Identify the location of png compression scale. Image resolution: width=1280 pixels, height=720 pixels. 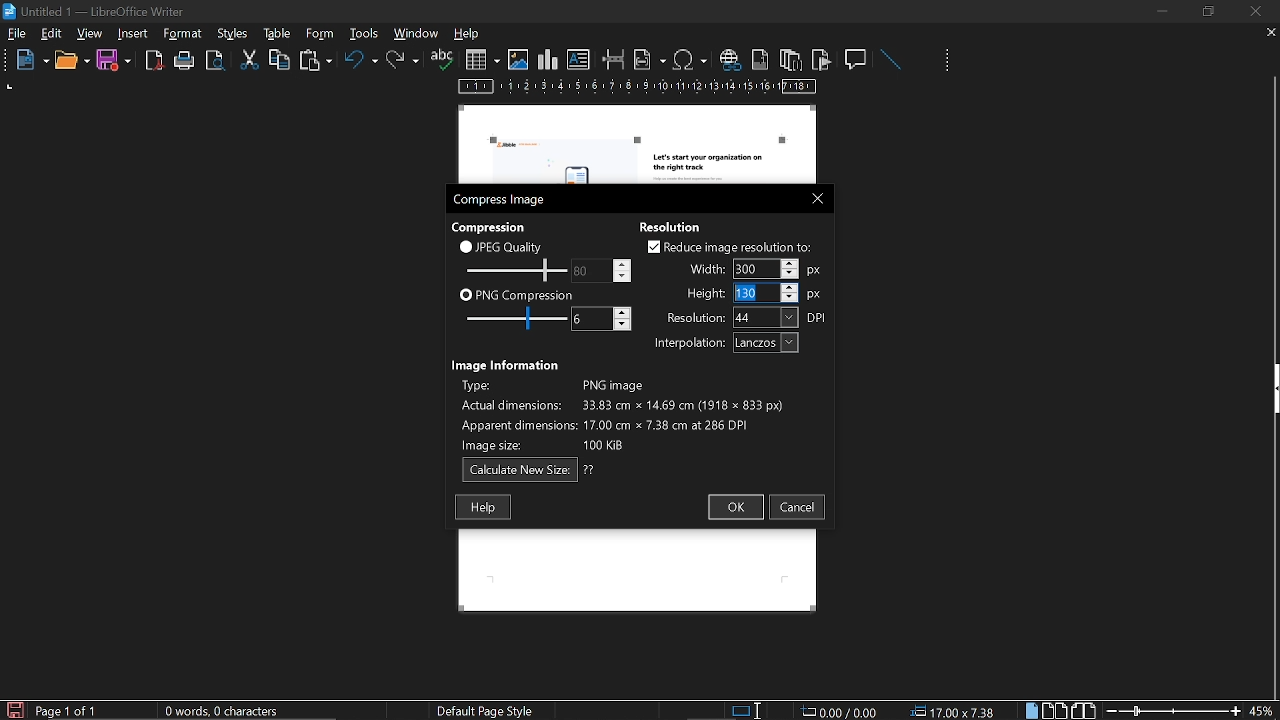
(511, 318).